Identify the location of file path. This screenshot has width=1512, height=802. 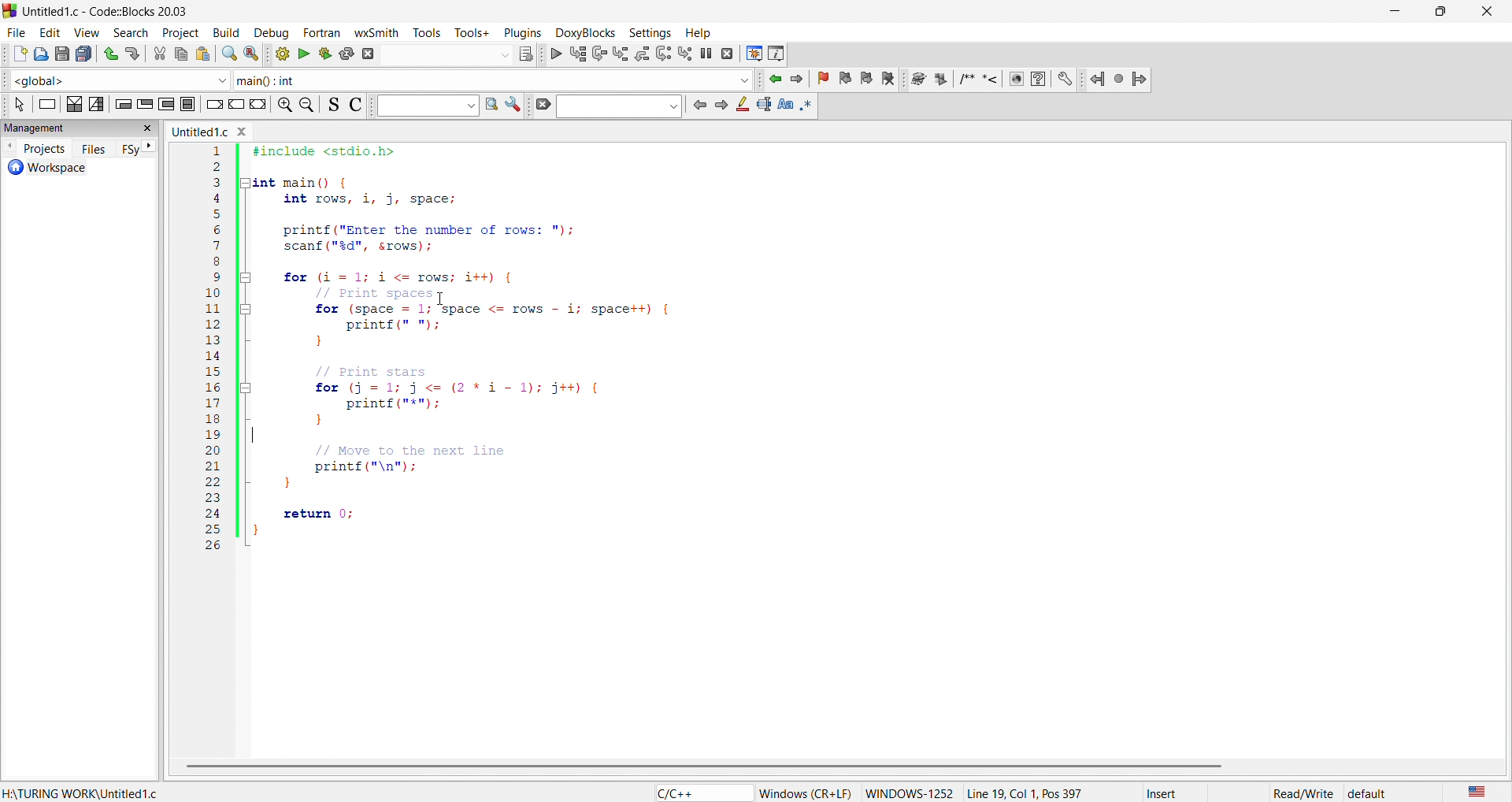
(84, 793).